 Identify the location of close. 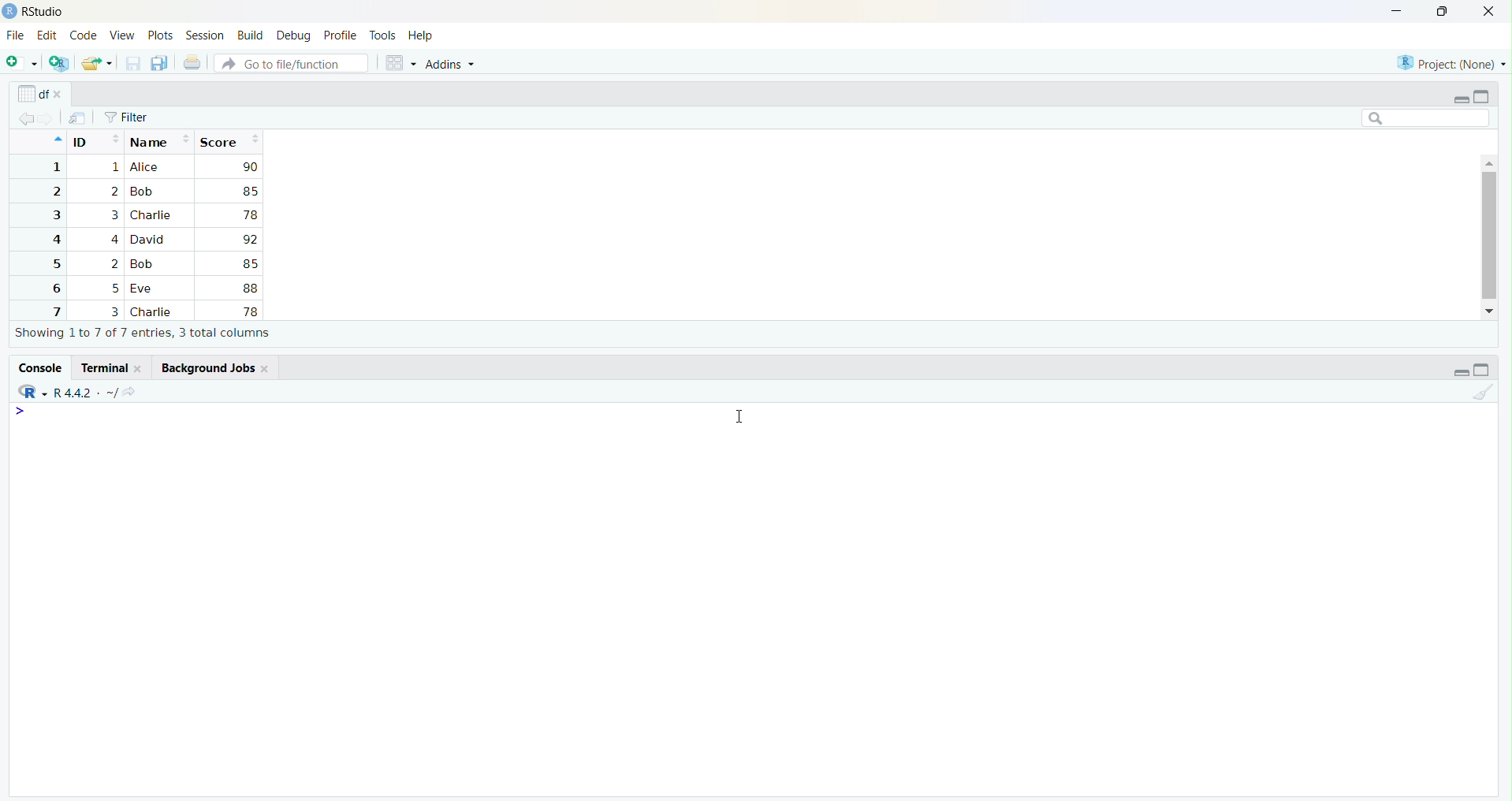
(266, 368).